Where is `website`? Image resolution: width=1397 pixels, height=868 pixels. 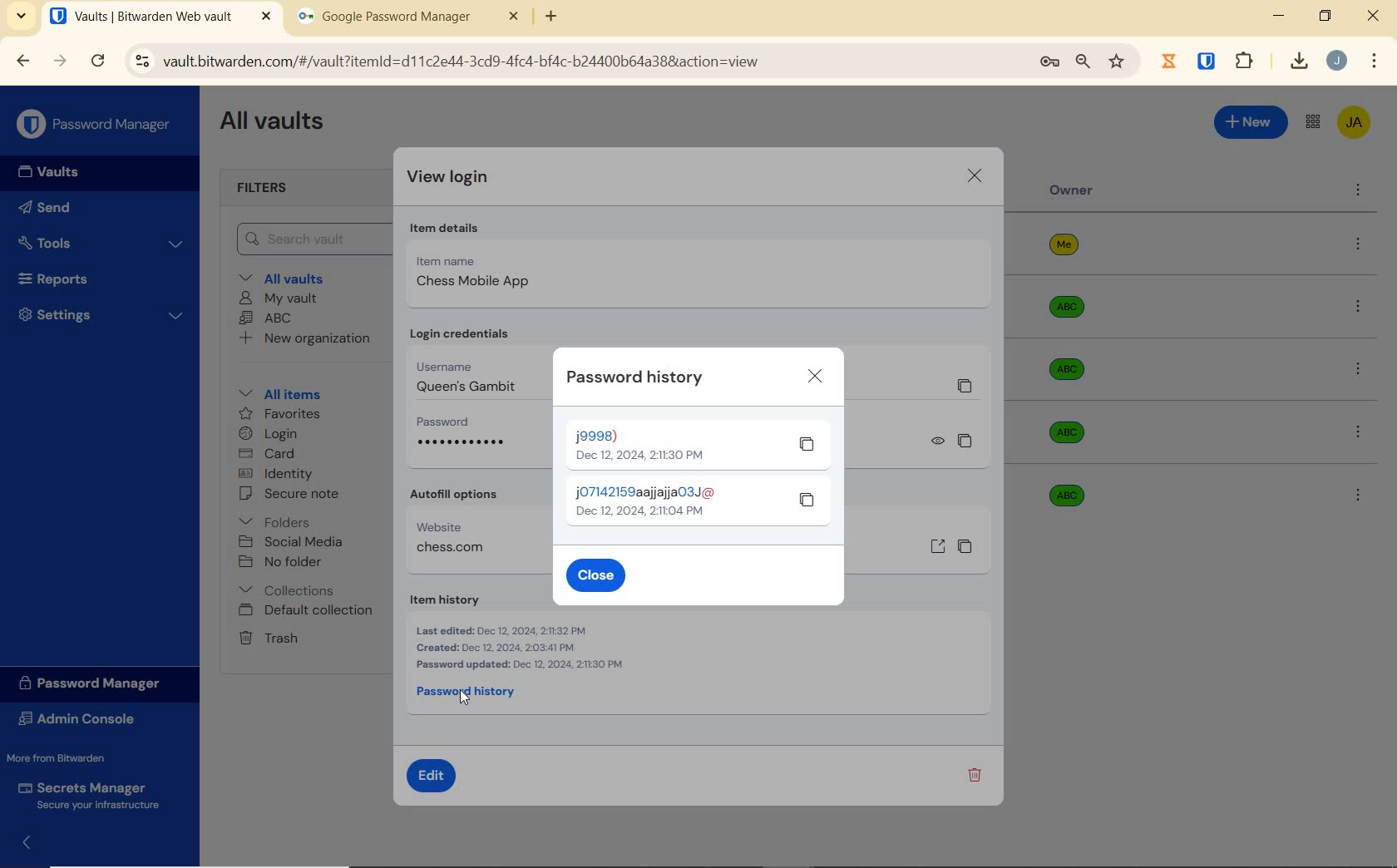
website is located at coordinates (457, 528).